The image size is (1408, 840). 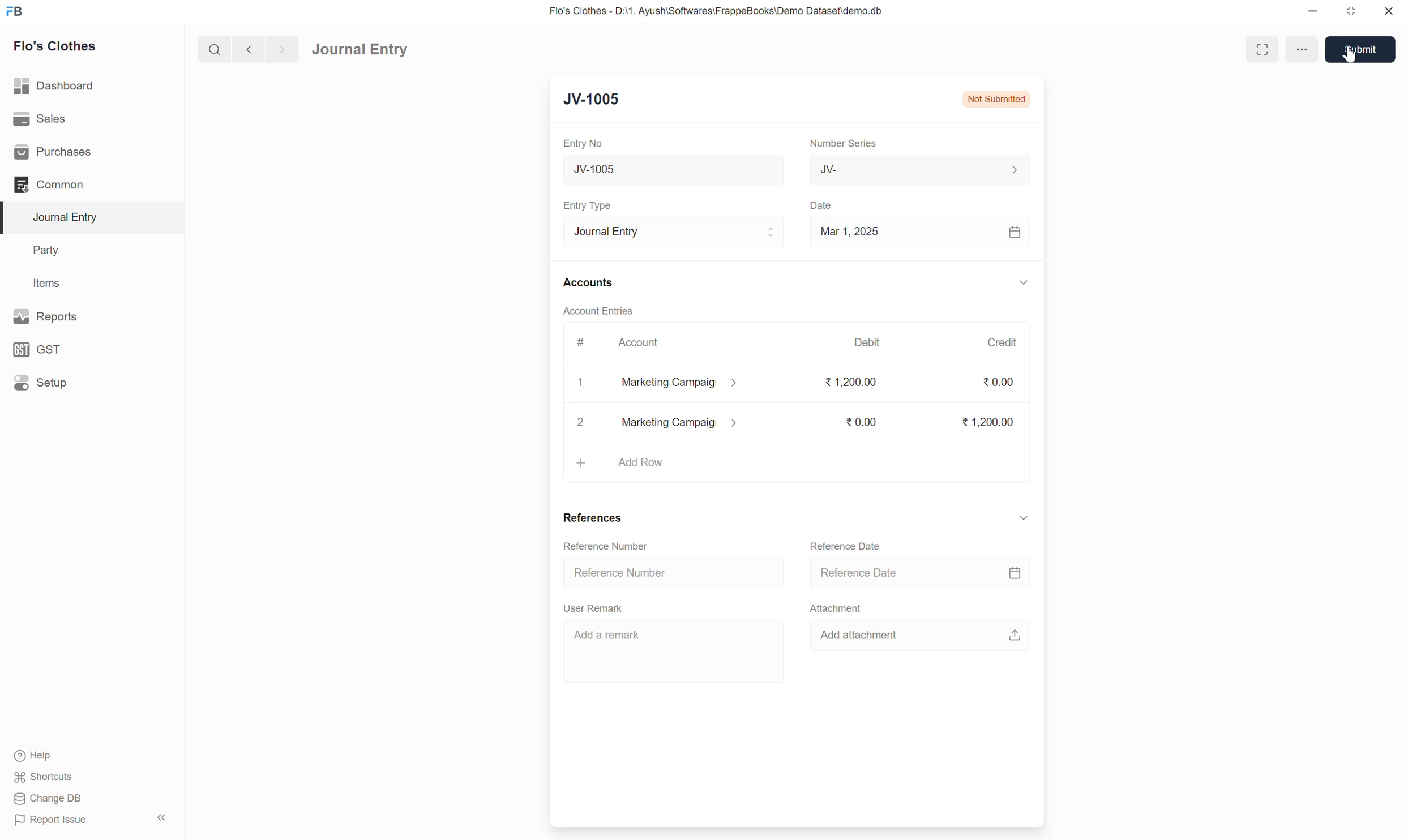 What do you see at coordinates (688, 383) in the screenshot?
I see `marketing campaig` at bounding box center [688, 383].